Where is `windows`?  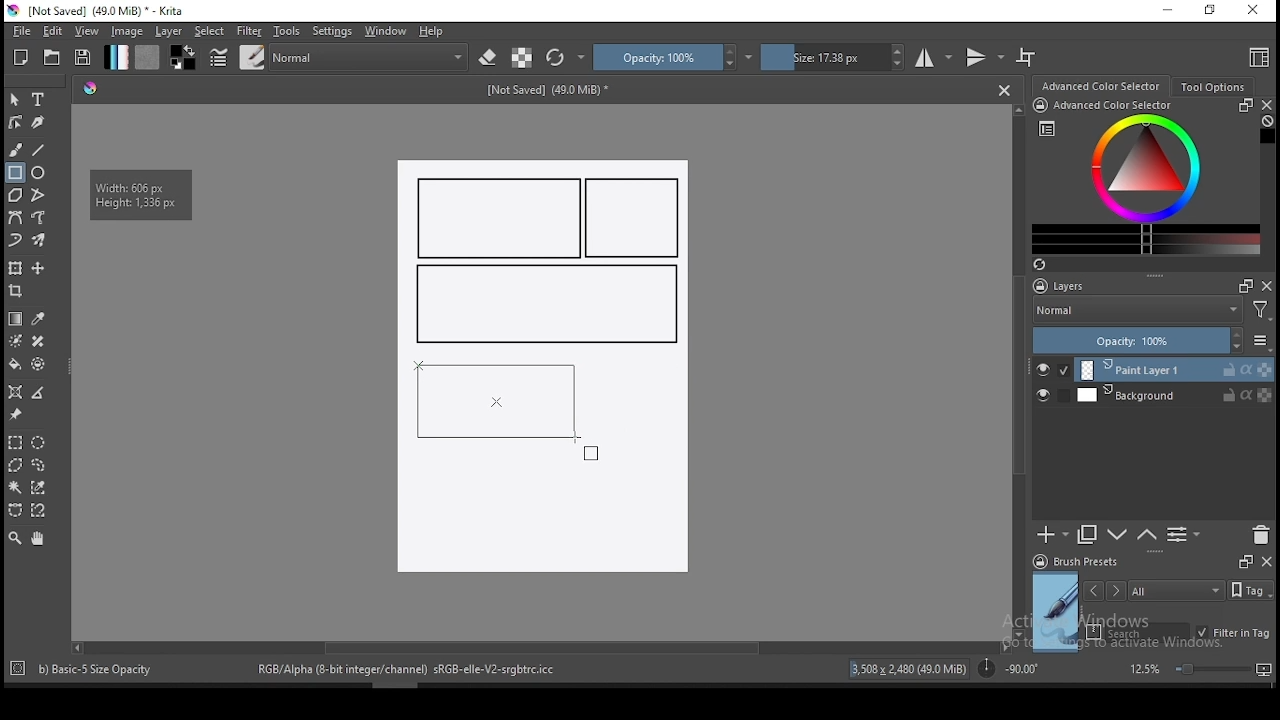
windows is located at coordinates (386, 31).